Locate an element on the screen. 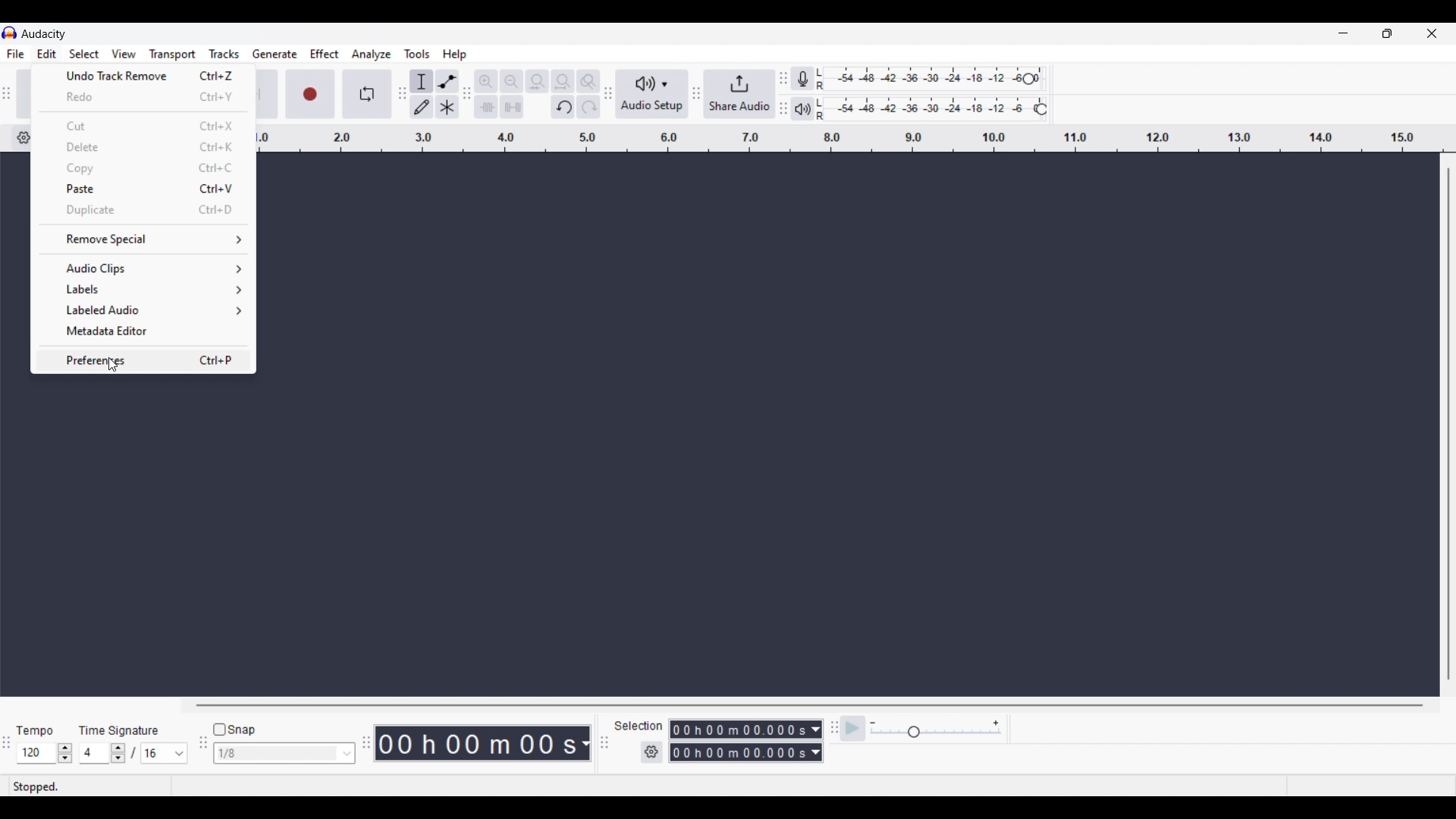 The height and width of the screenshot is (819, 1456). Snap options to choose from is located at coordinates (348, 754).